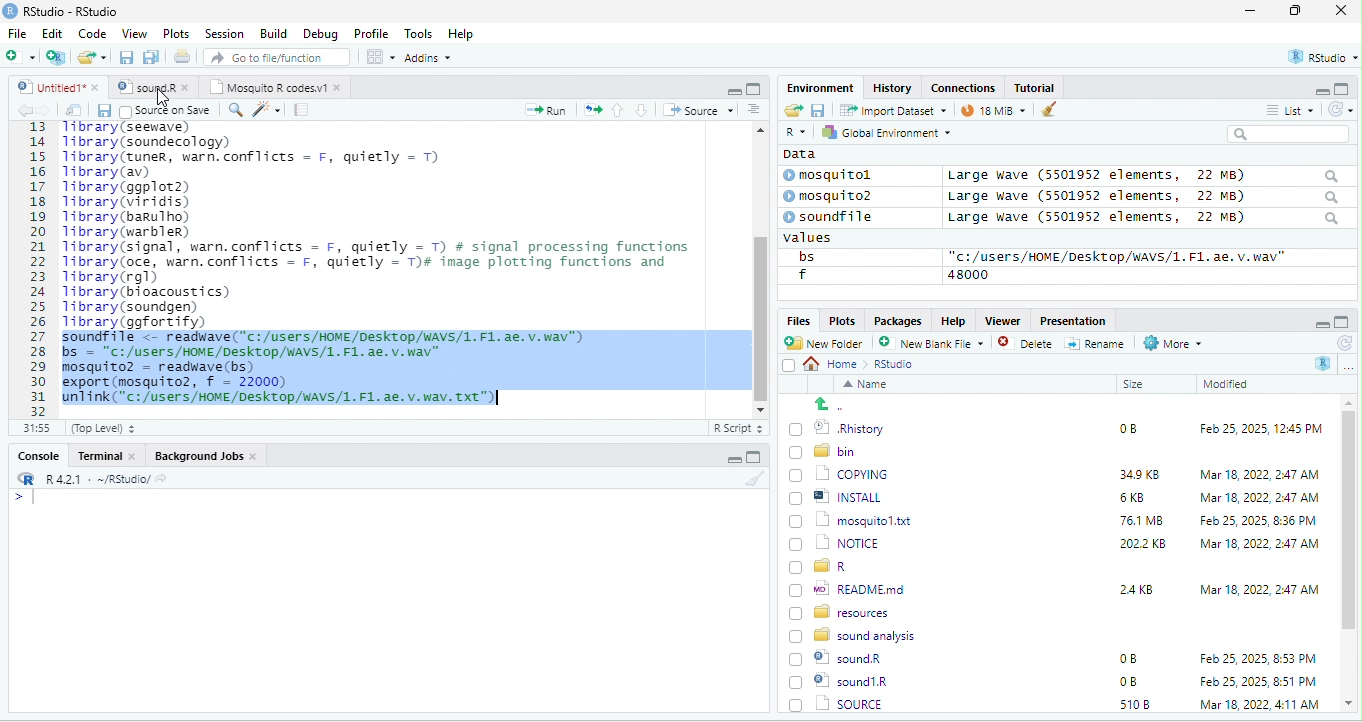  What do you see at coordinates (1133, 498) in the screenshot?
I see `6KB` at bounding box center [1133, 498].